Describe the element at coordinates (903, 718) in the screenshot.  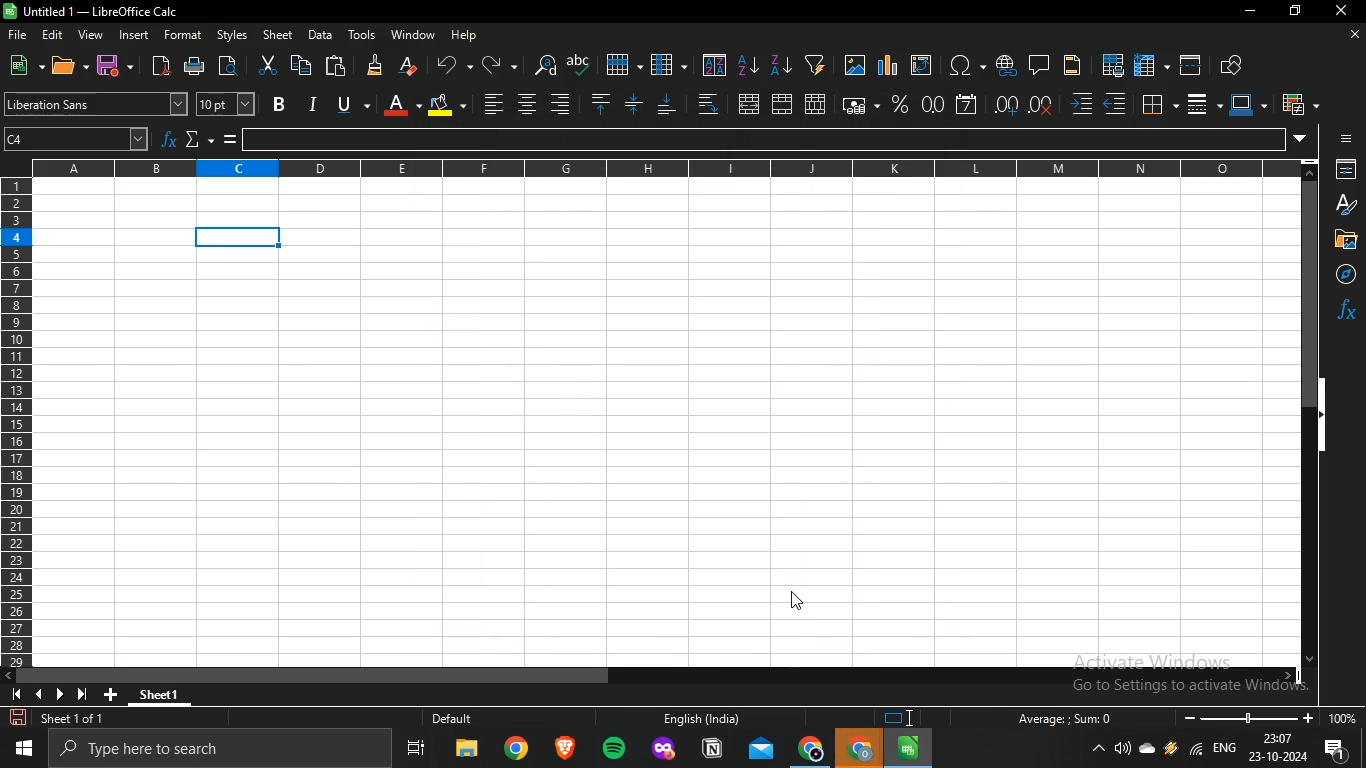
I see `icon` at that location.